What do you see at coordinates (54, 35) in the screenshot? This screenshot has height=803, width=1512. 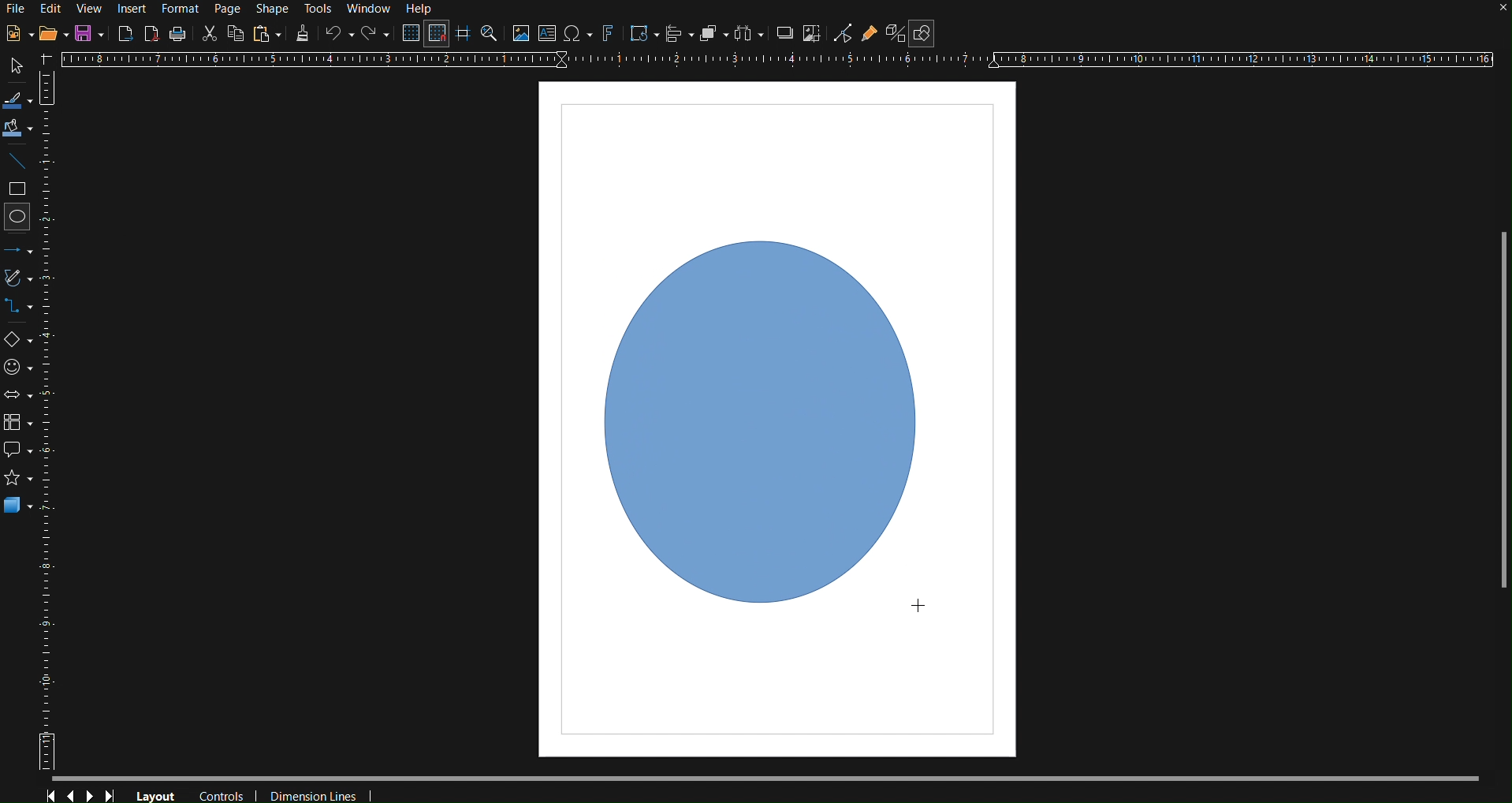 I see `Open` at bounding box center [54, 35].